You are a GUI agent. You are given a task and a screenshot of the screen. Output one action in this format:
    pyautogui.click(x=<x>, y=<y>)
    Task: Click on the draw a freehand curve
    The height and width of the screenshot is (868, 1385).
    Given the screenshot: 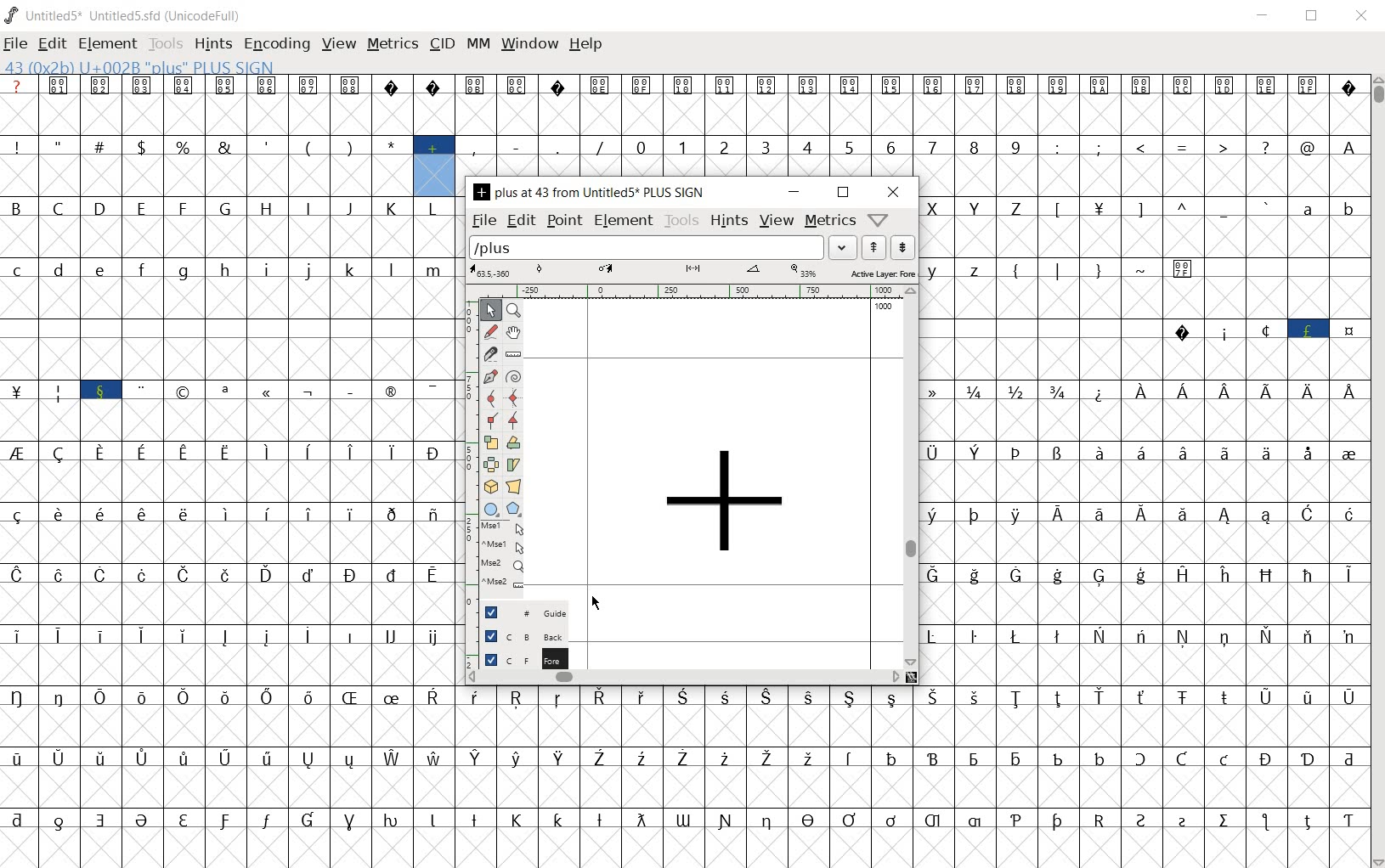 What is the action you would take?
    pyautogui.click(x=490, y=330)
    